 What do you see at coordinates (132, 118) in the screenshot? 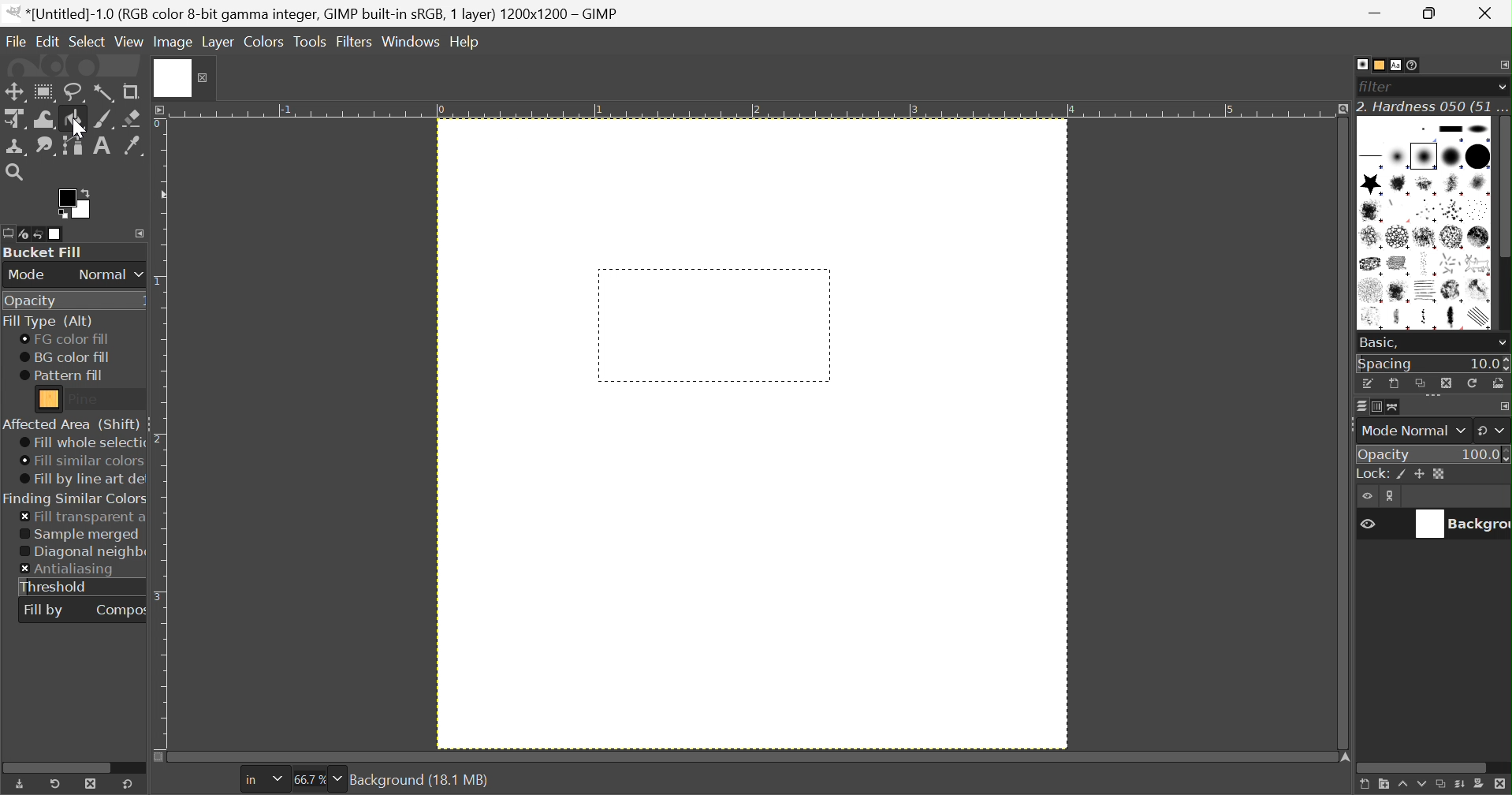
I see `Eraser Tool` at bounding box center [132, 118].